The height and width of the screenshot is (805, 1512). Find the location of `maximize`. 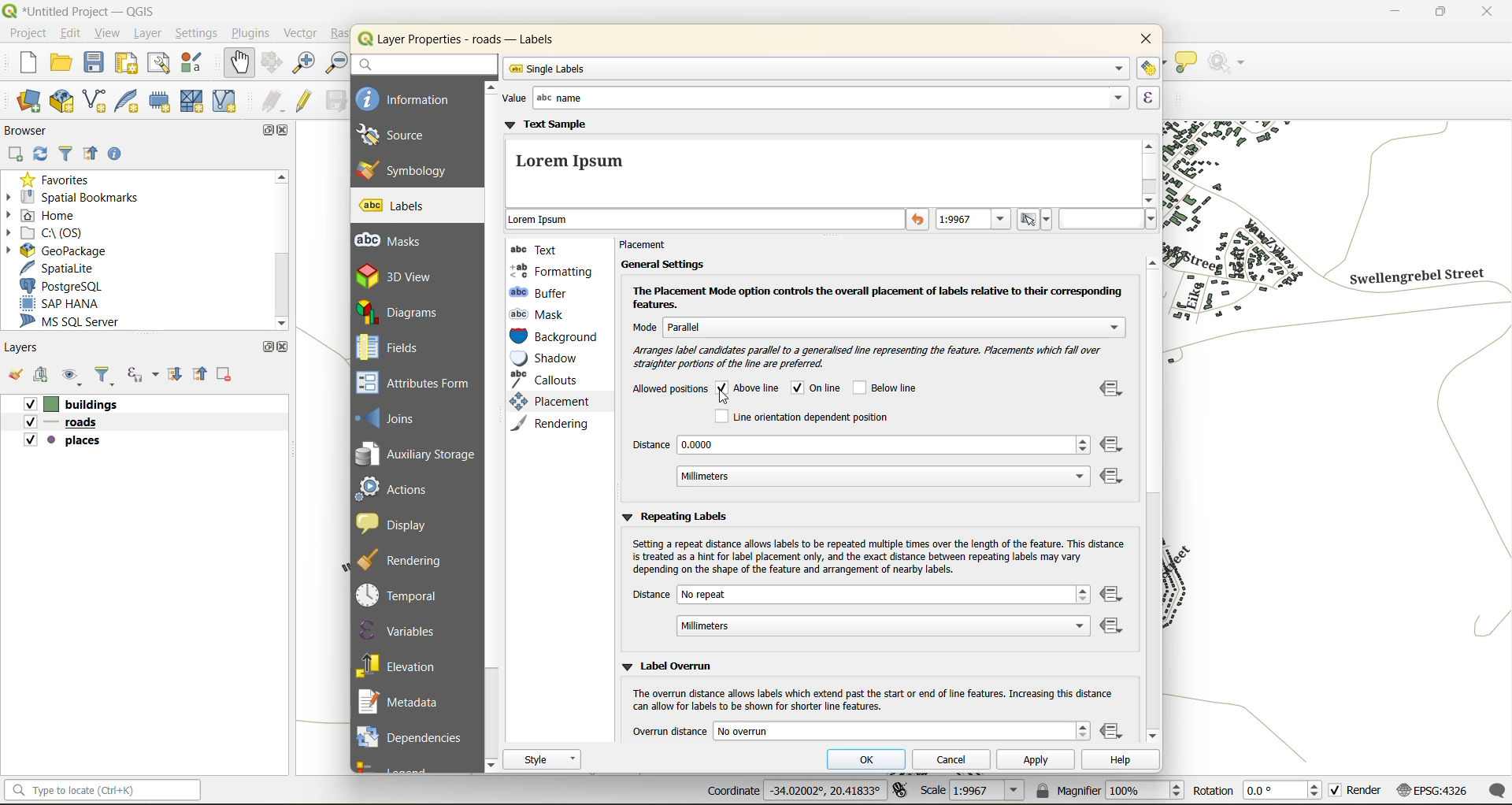

maximize is located at coordinates (1440, 15).